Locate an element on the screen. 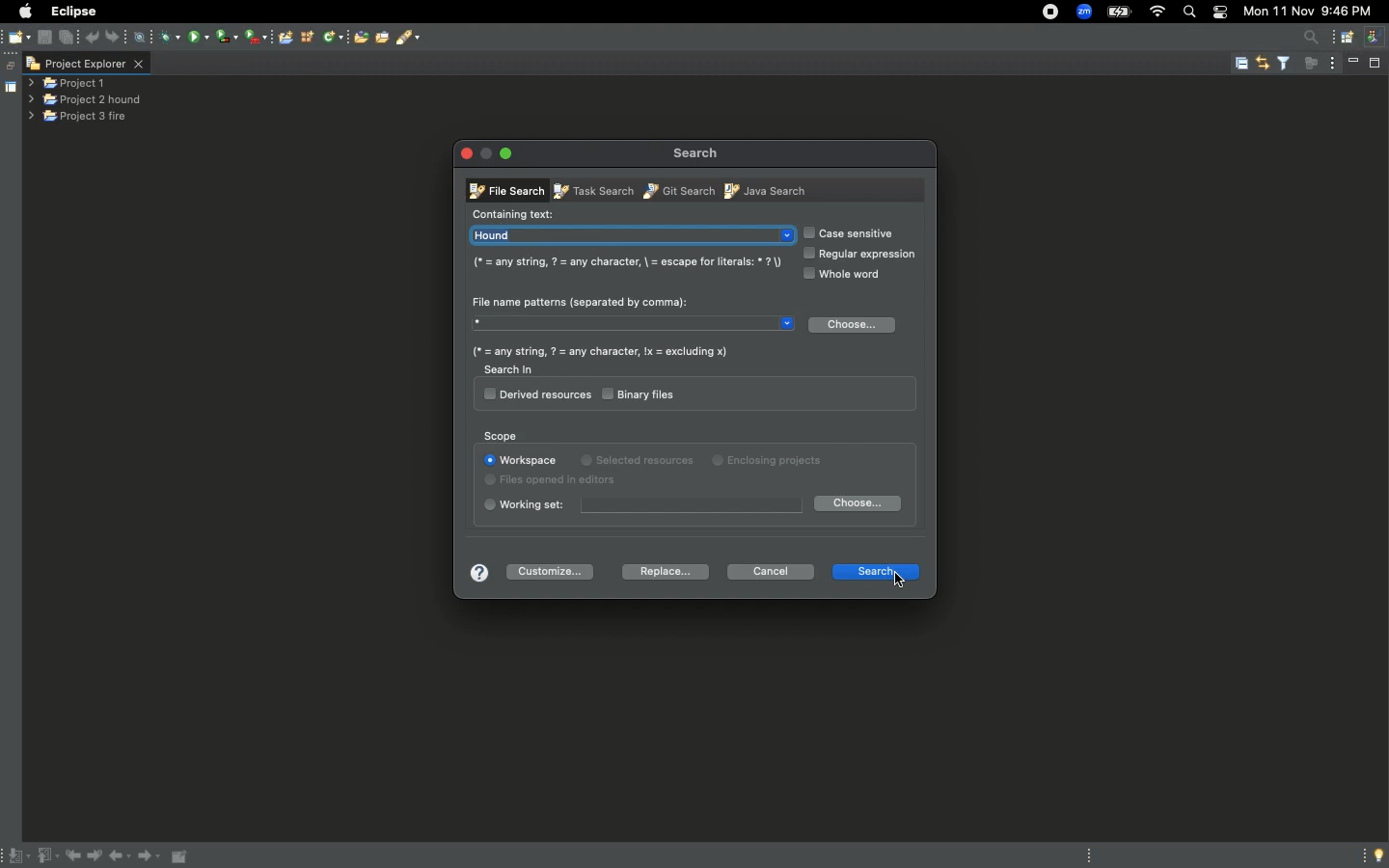 This screenshot has width=1389, height=868. Git search is located at coordinates (676, 190).